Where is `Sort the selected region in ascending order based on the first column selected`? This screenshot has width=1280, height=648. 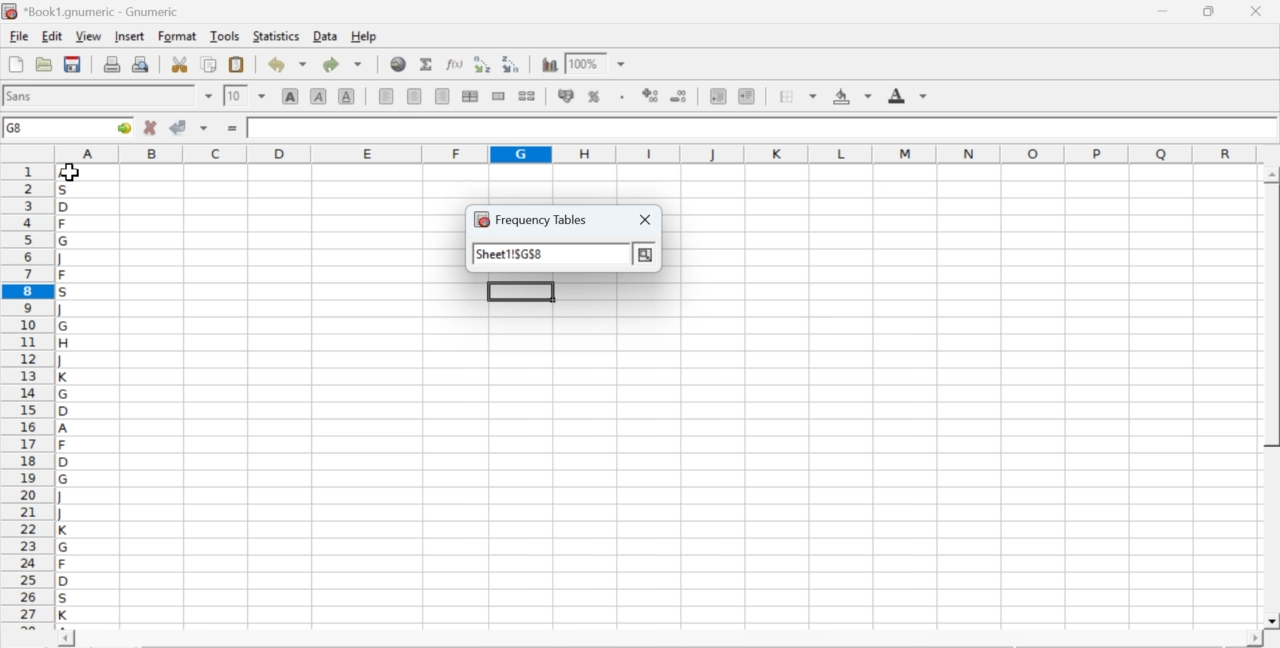
Sort the selected region in ascending order based on the first column selected is located at coordinates (485, 64).